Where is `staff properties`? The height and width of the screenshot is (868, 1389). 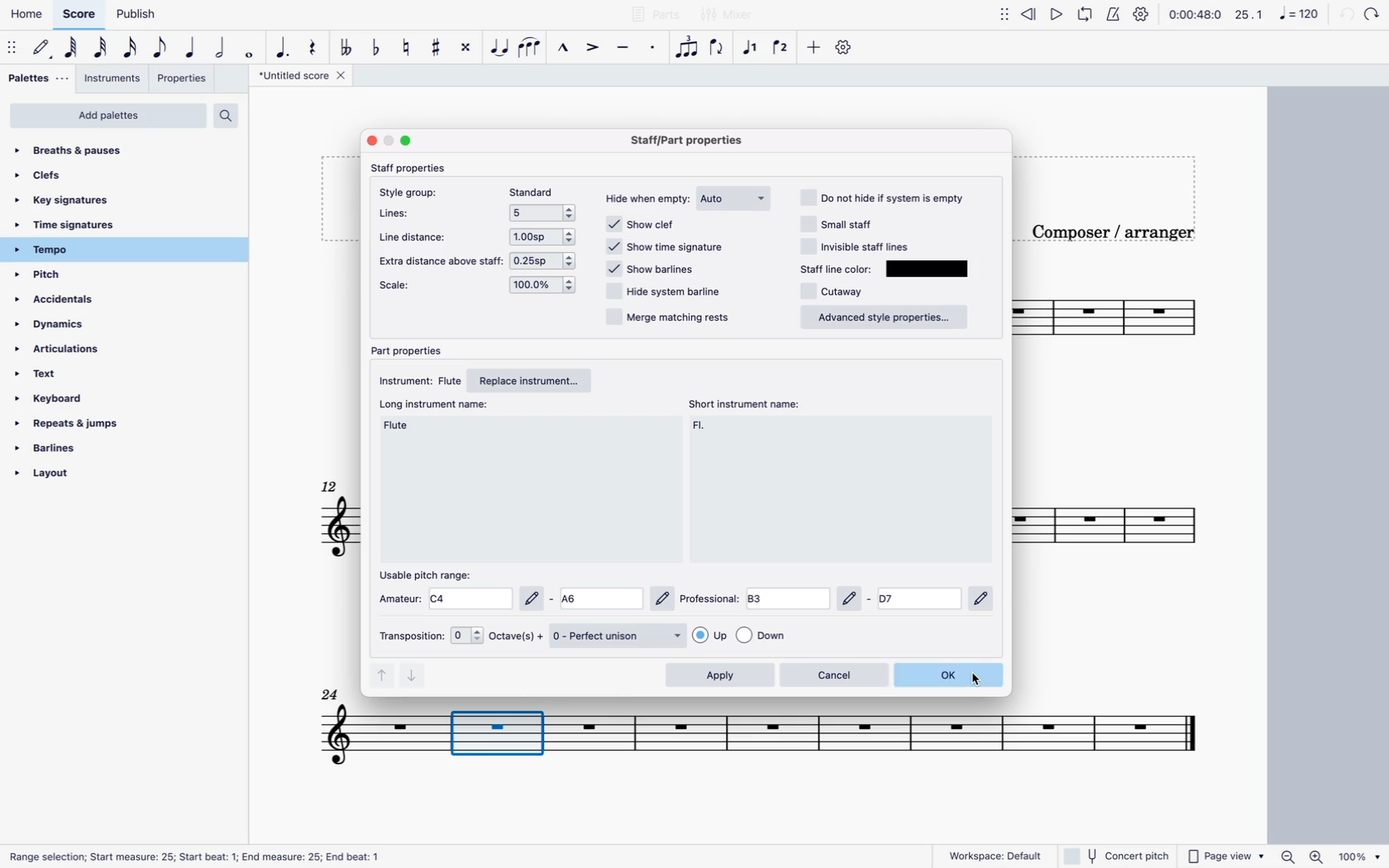 staff properties is located at coordinates (413, 168).